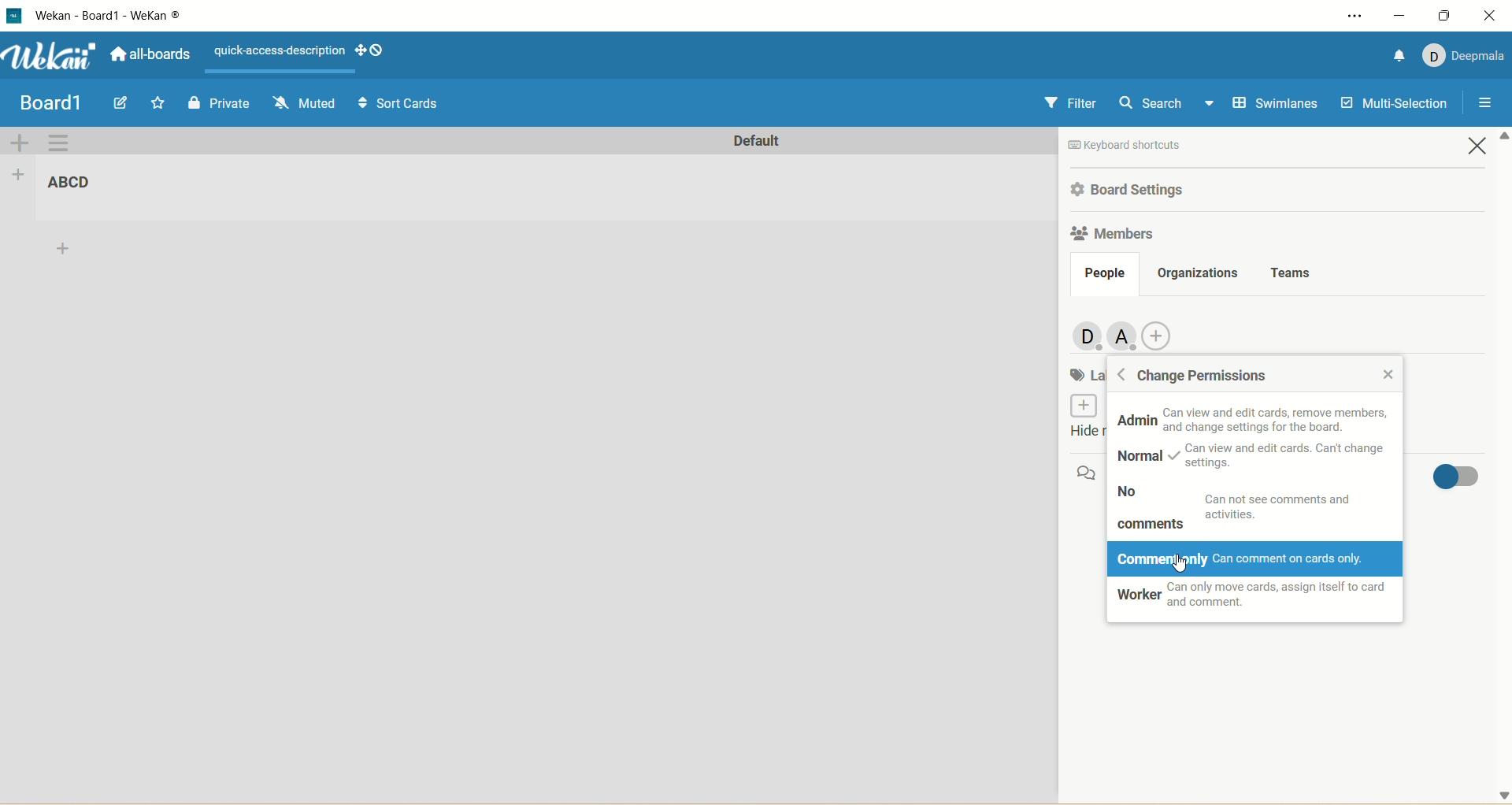  Describe the element at coordinates (1198, 376) in the screenshot. I see `change permission` at that location.